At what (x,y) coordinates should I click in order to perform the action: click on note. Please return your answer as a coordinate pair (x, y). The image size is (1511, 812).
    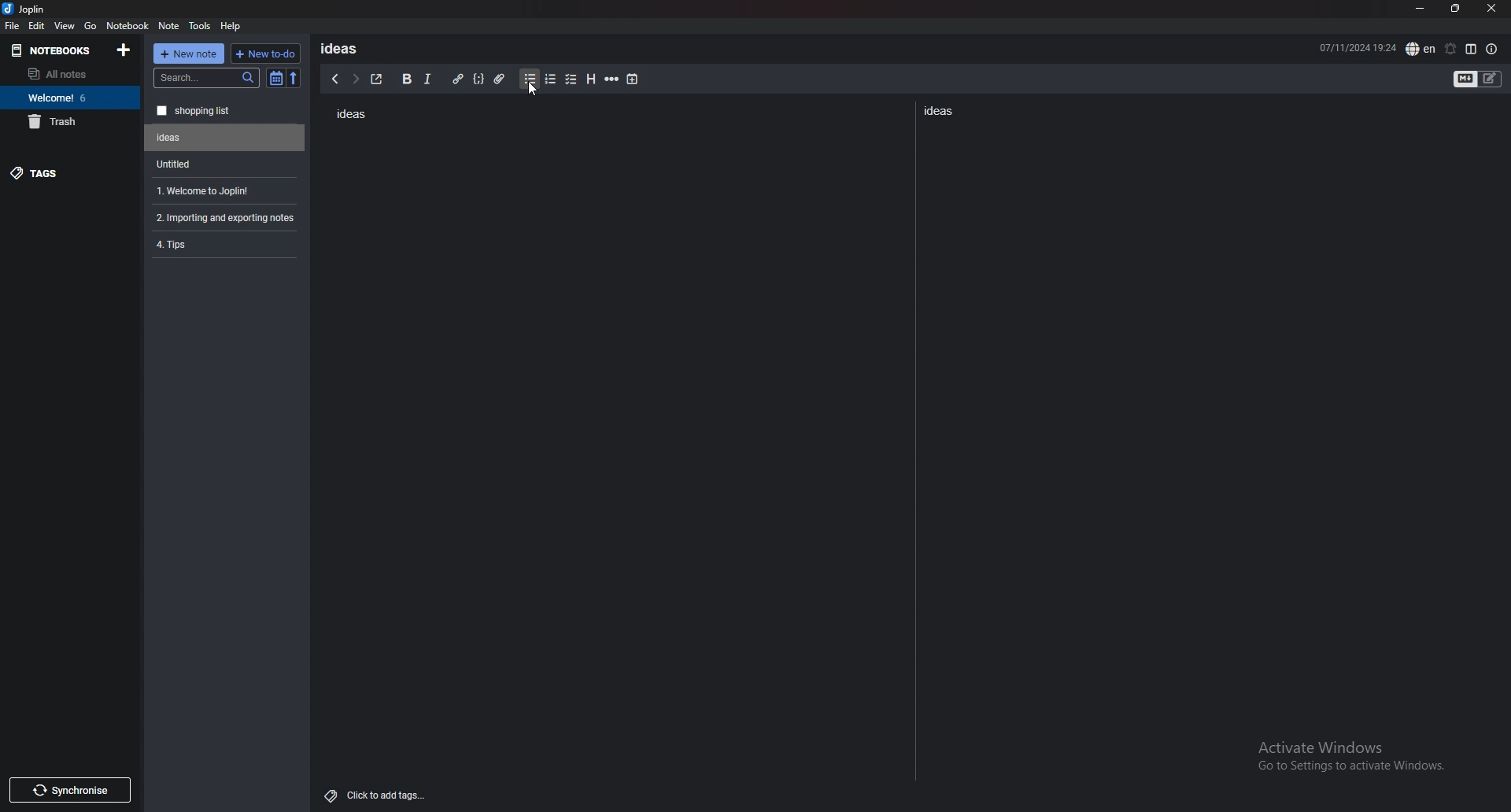
    Looking at the image, I should click on (169, 26).